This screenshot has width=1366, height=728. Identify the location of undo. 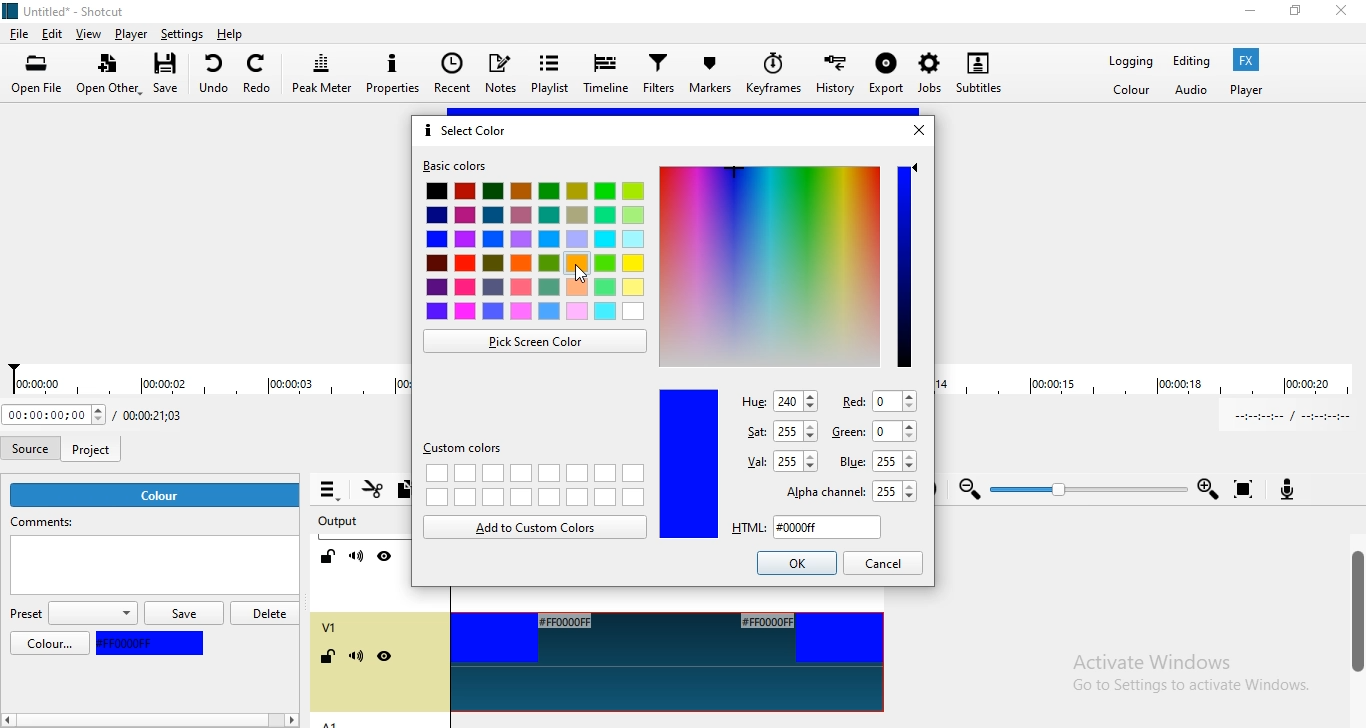
(215, 73).